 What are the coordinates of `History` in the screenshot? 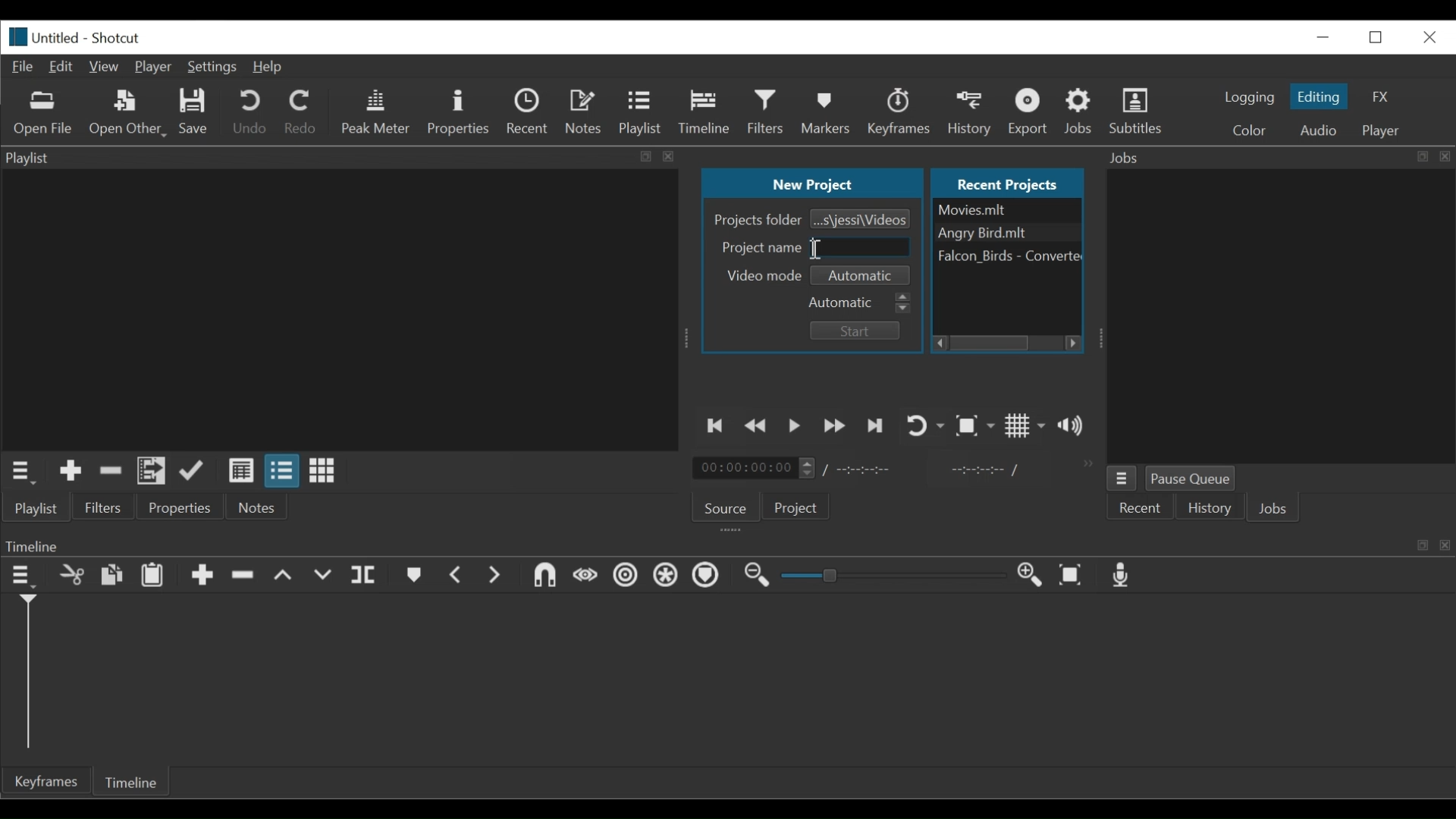 It's located at (973, 112).